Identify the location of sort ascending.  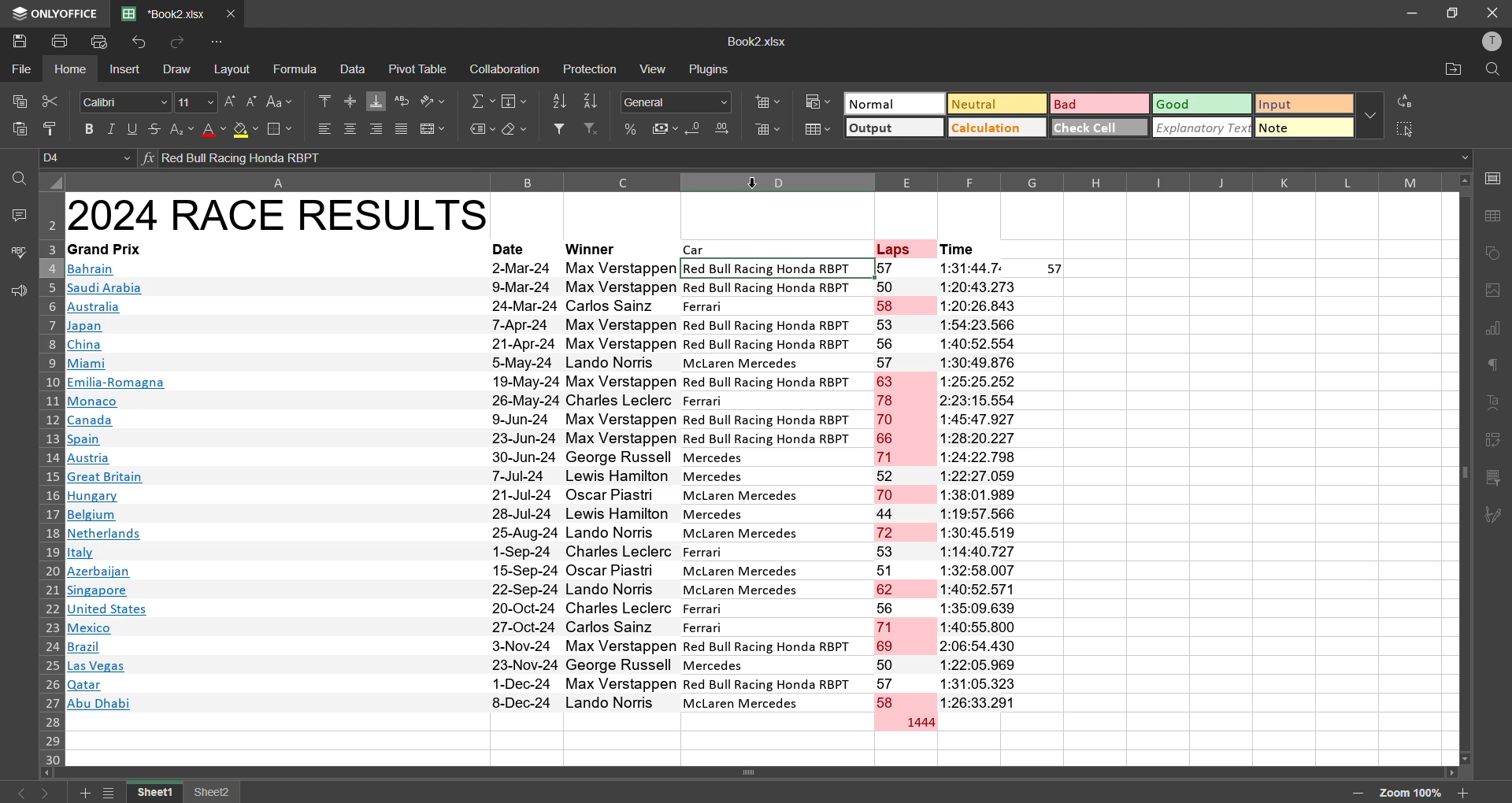
(559, 102).